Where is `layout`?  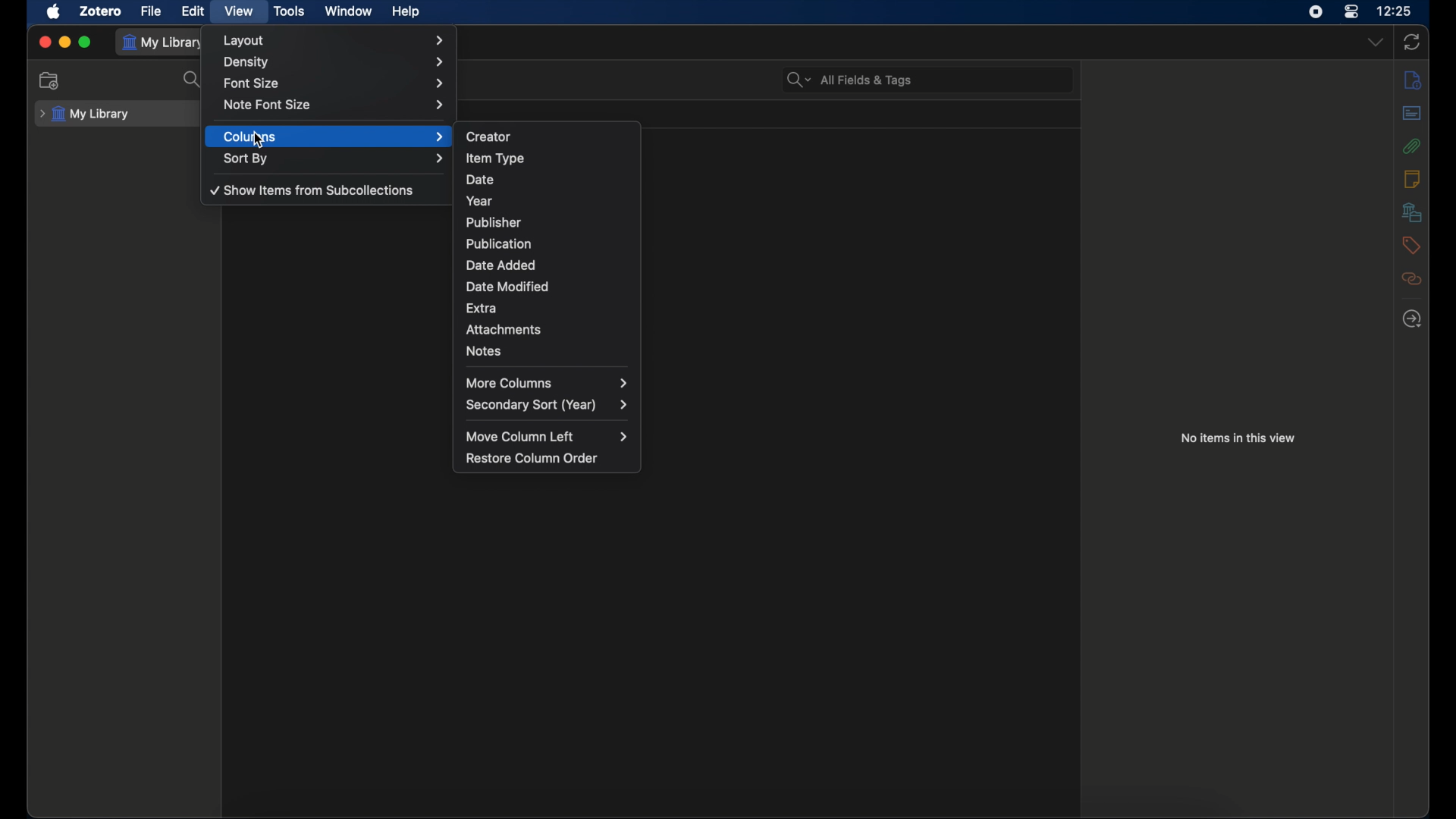 layout is located at coordinates (333, 40).